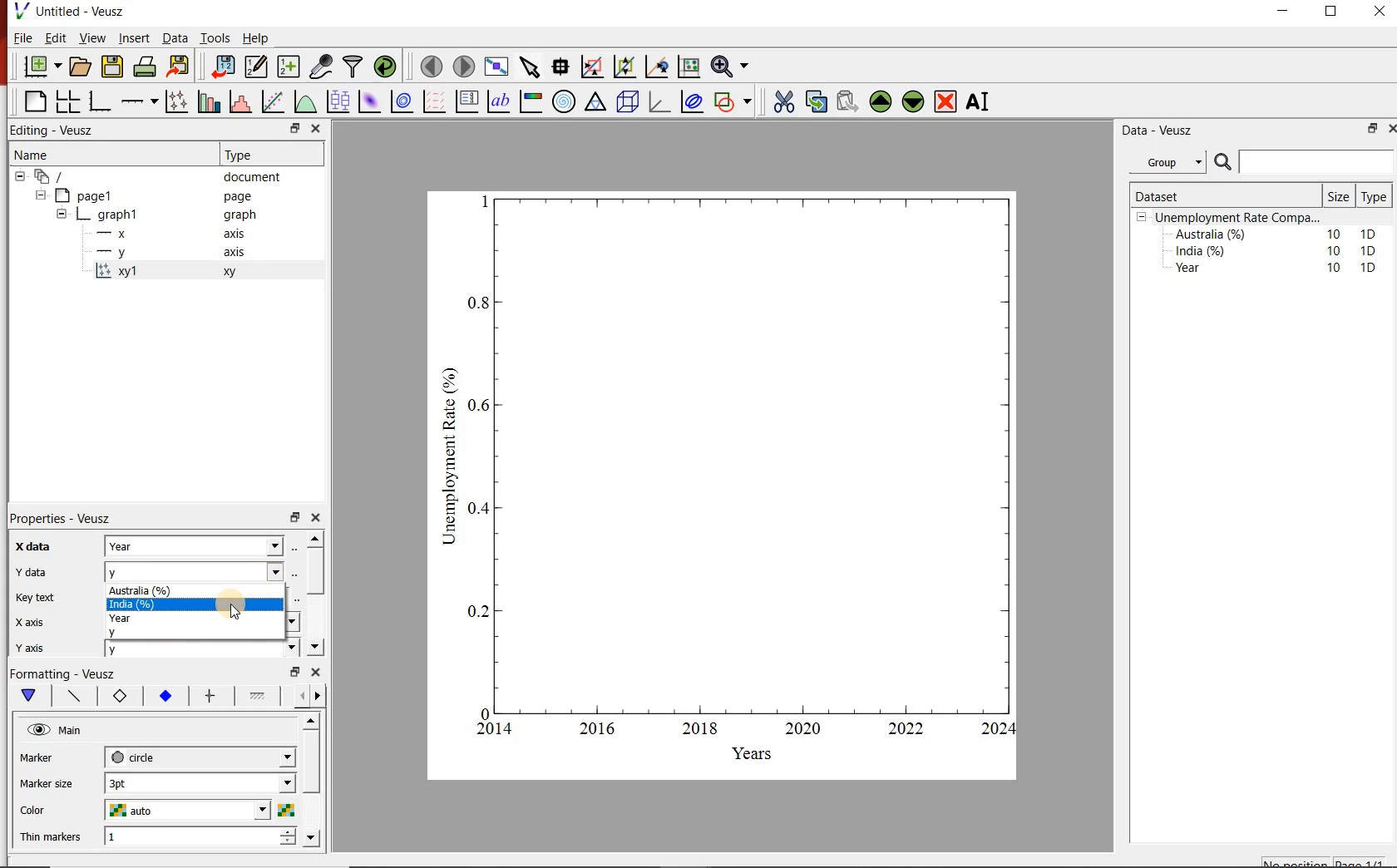 The width and height of the screenshot is (1397, 868). I want to click on Australia (%), so click(199, 591).